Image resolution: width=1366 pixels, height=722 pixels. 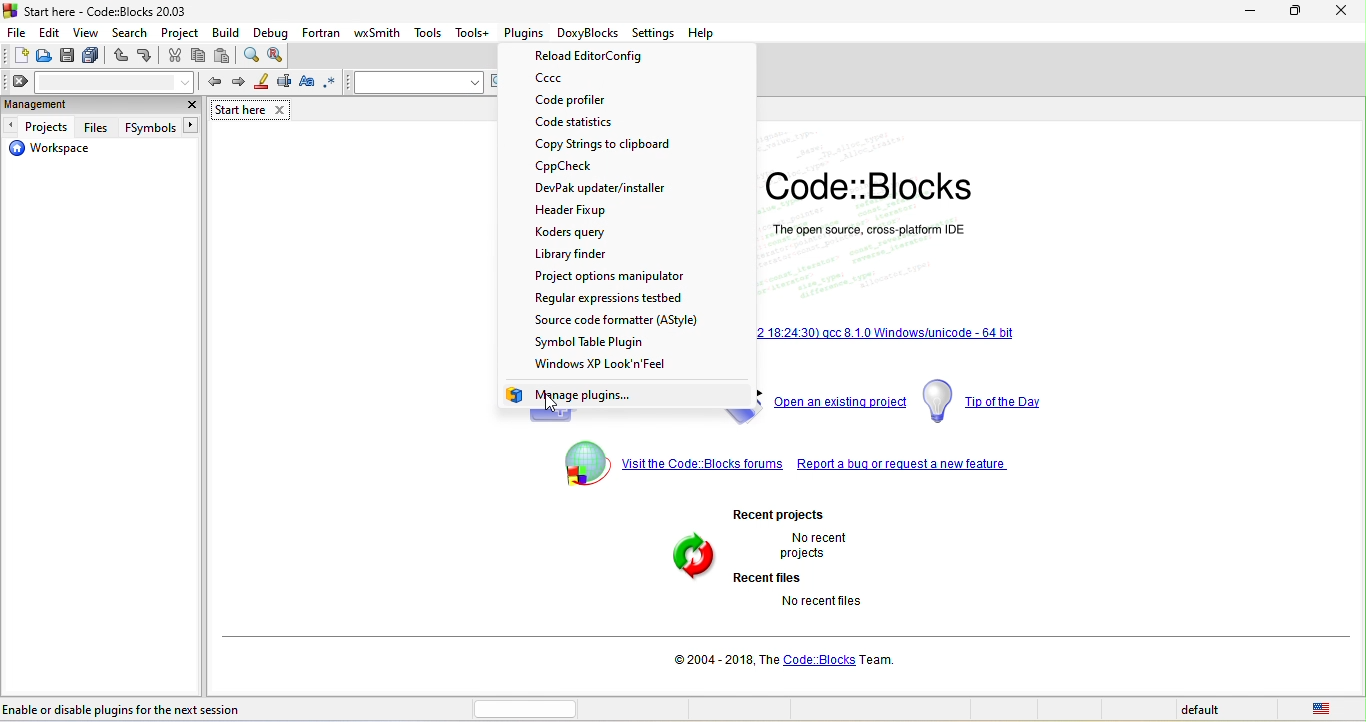 I want to click on undo, so click(x=122, y=56).